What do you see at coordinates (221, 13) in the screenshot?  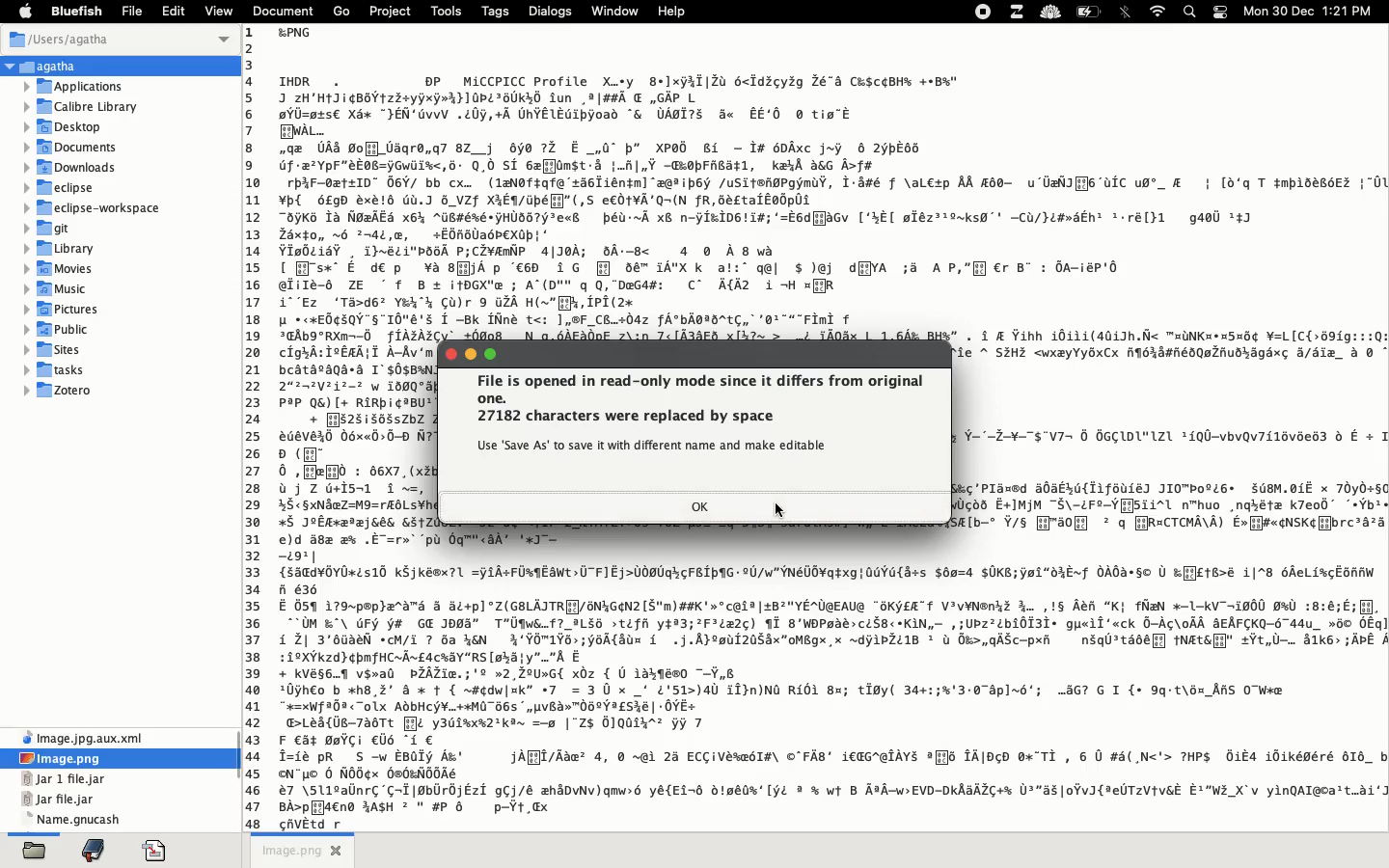 I see `view` at bounding box center [221, 13].